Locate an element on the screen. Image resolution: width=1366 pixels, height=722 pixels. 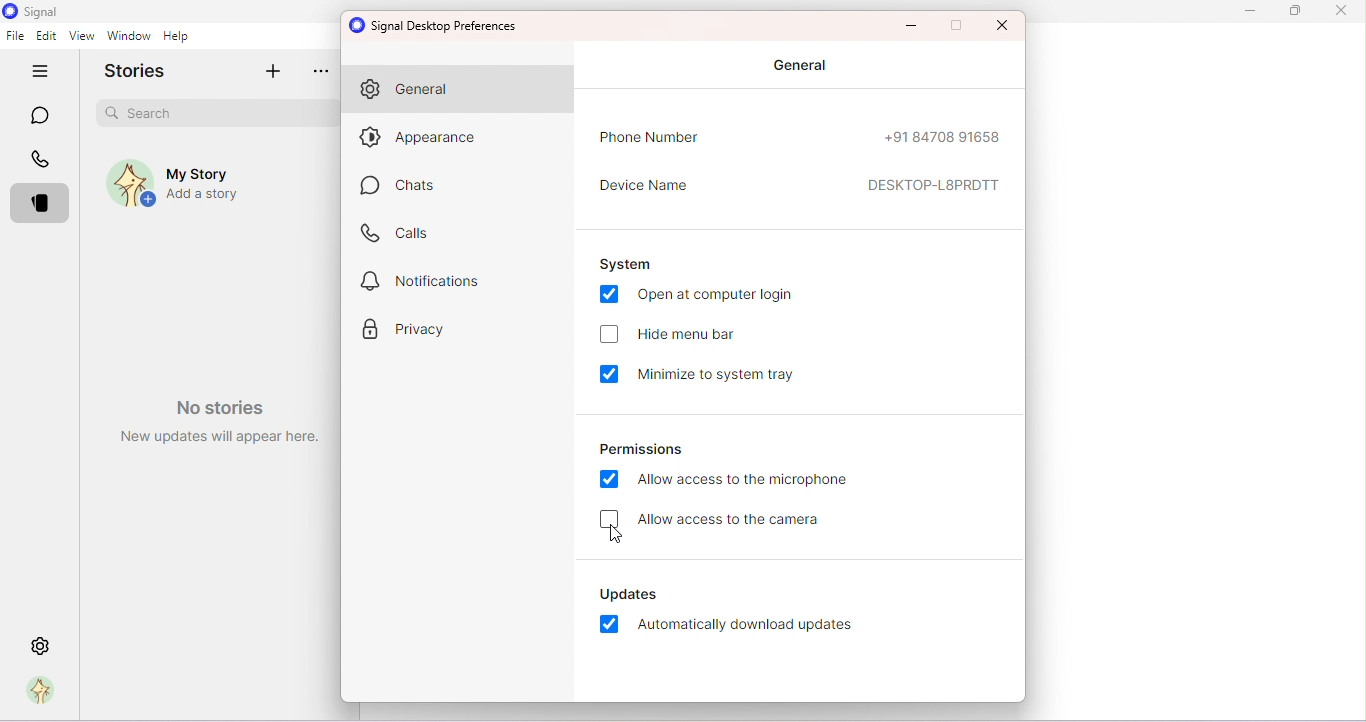
File is located at coordinates (17, 38).